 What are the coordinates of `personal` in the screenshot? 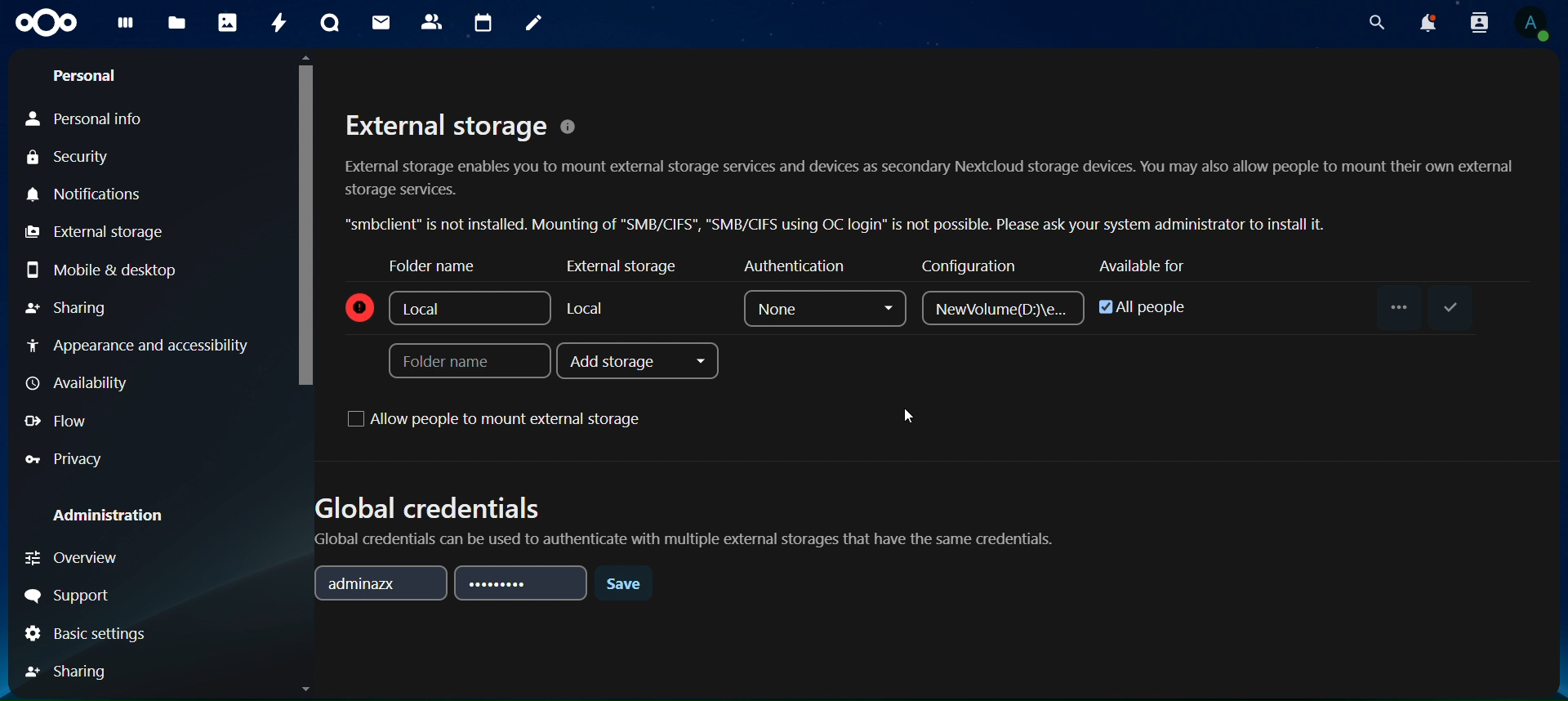 It's located at (87, 73).